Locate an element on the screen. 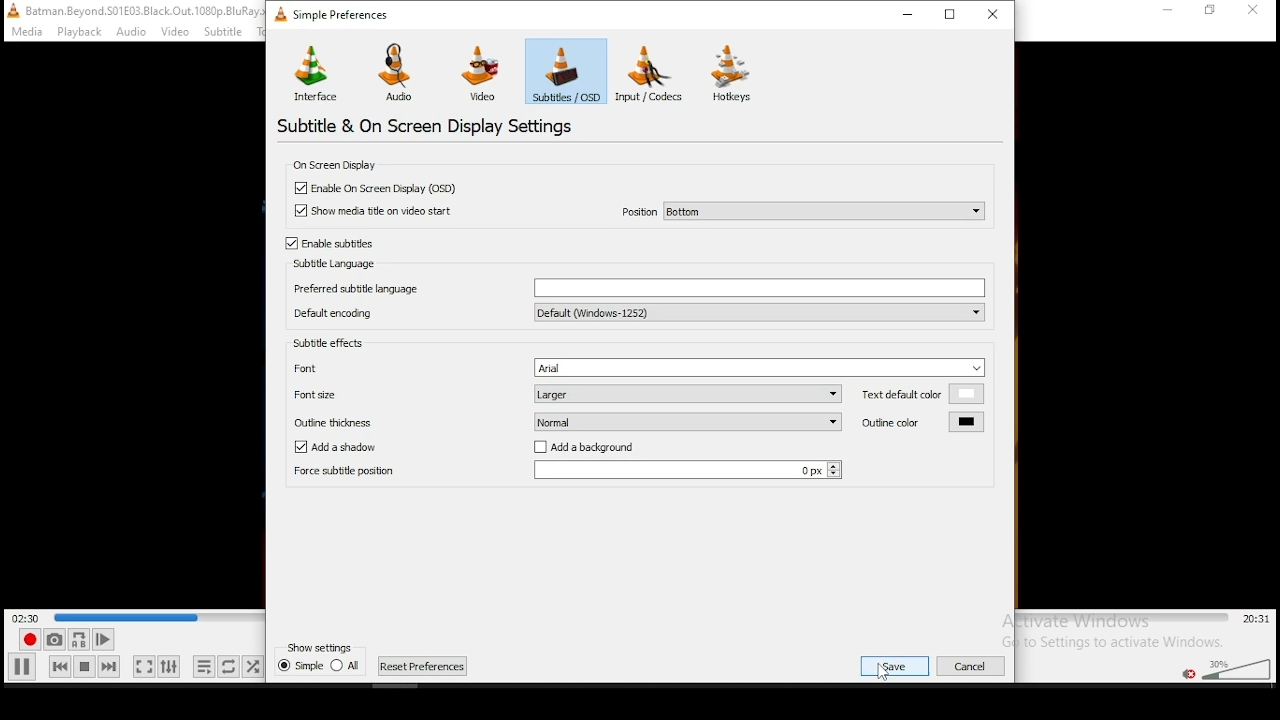 The height and width of the screenshot is (720, 1280). audio is located at coordinates (402, 74).